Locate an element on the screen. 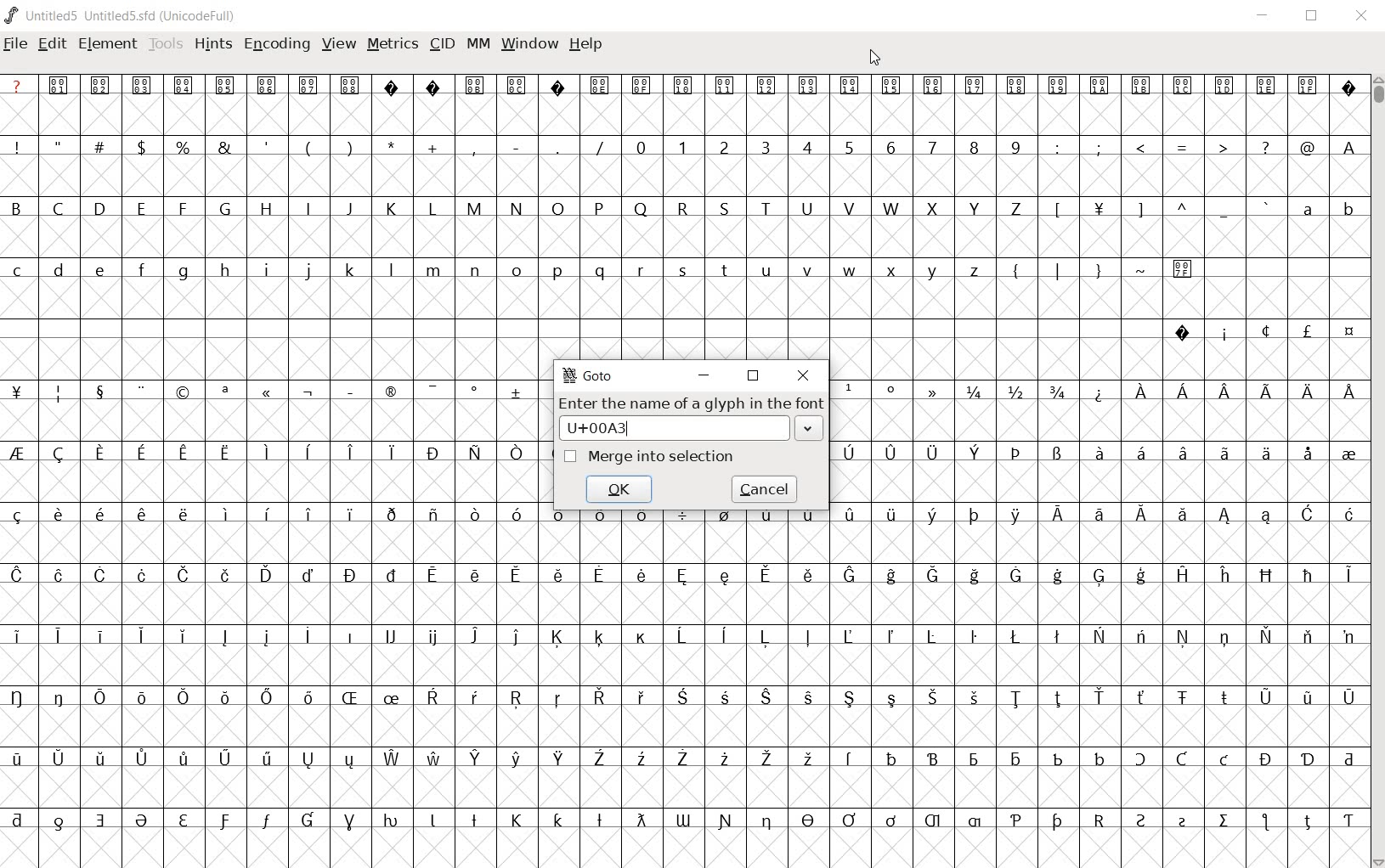 The height and width of the screenshot is (868, 1385). J is located at coordinates (348, 208).